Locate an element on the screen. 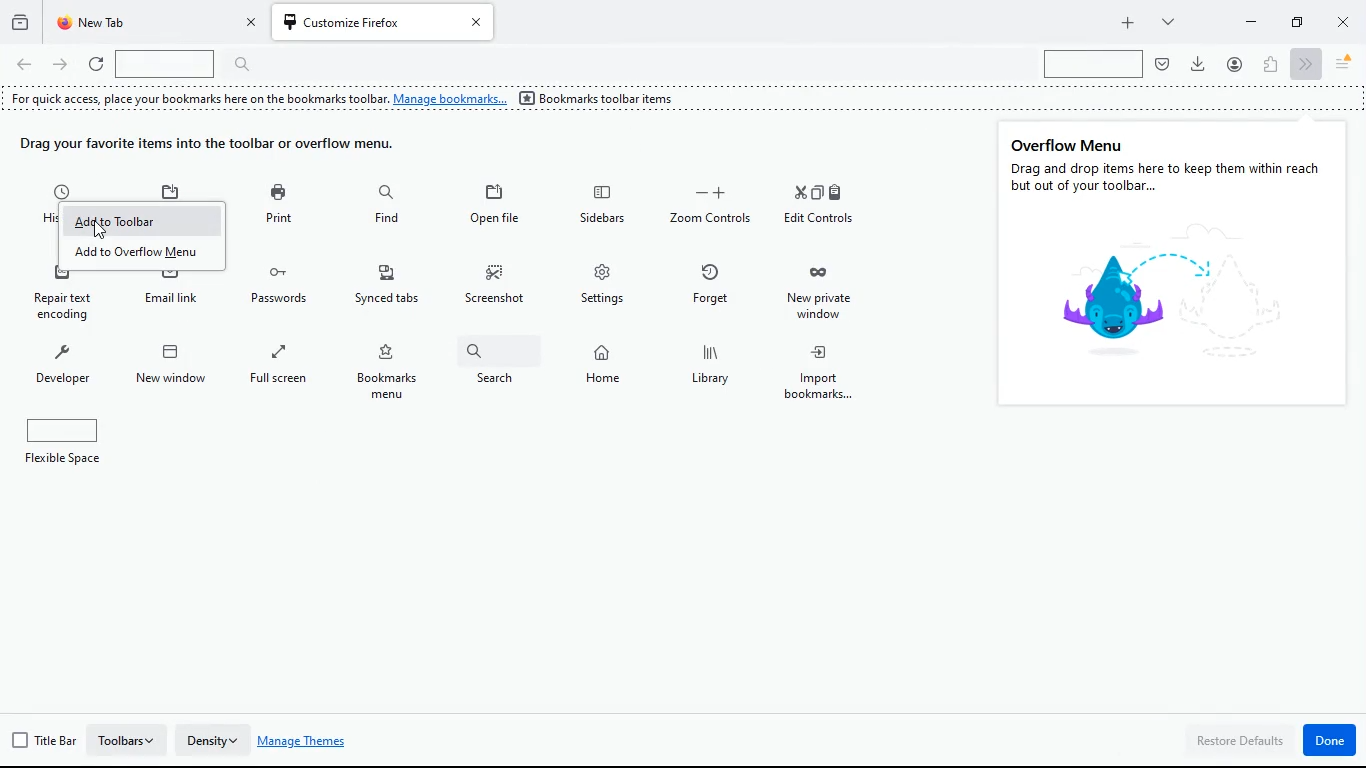  title bar is located at coordinates (44, 741).